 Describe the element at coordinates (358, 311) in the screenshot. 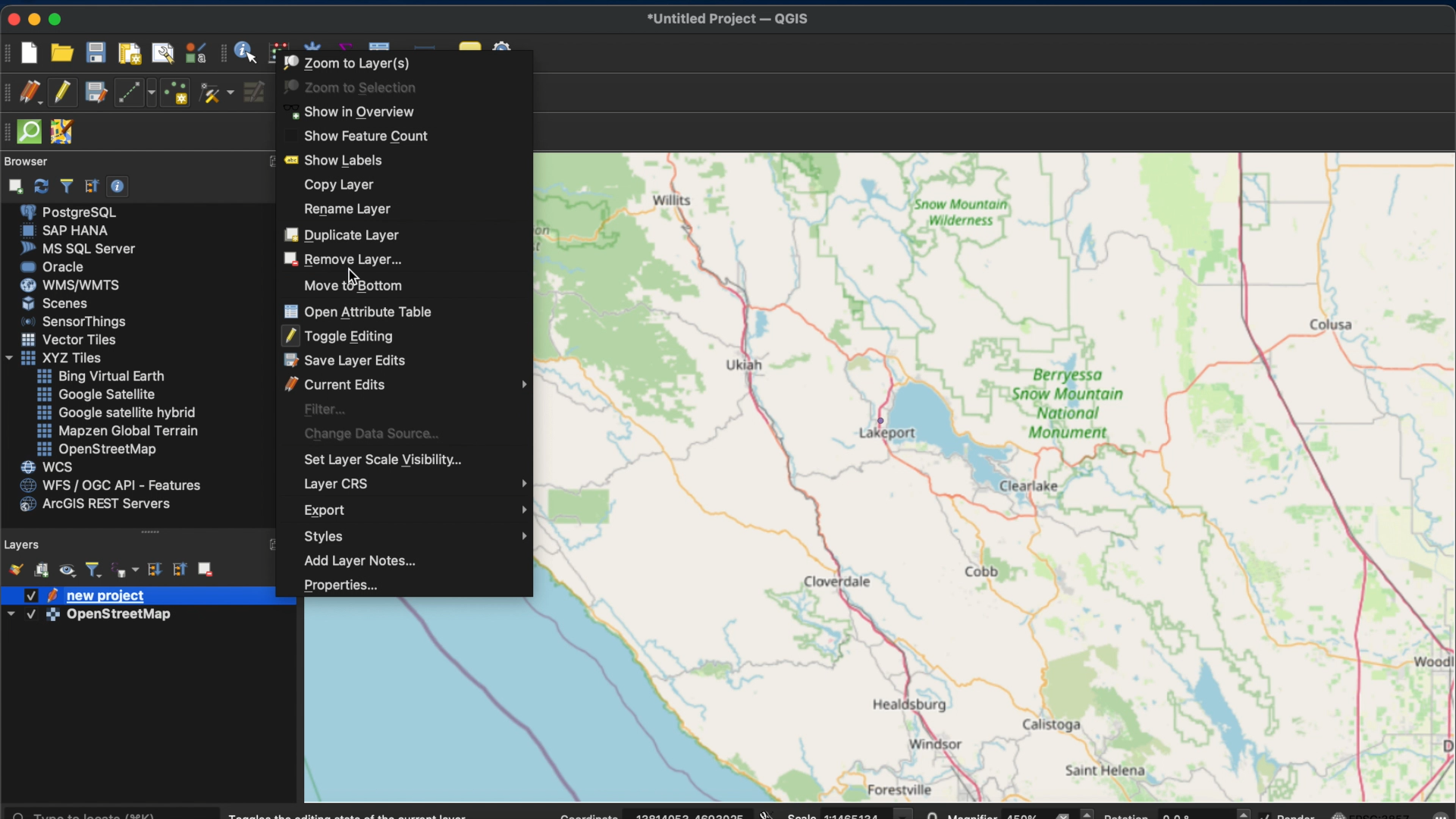

I see `open attribute. table` at that location.